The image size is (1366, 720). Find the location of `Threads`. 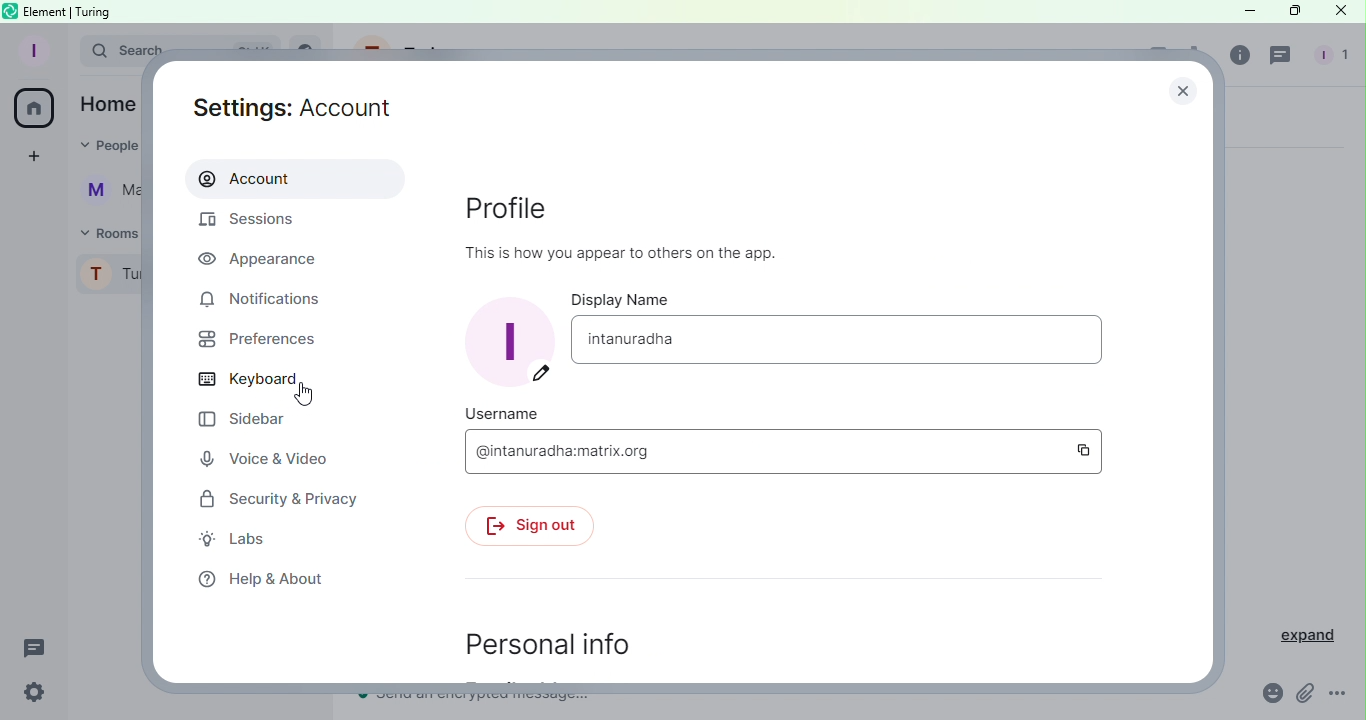

Threads is located at coordinates (1282, 57).